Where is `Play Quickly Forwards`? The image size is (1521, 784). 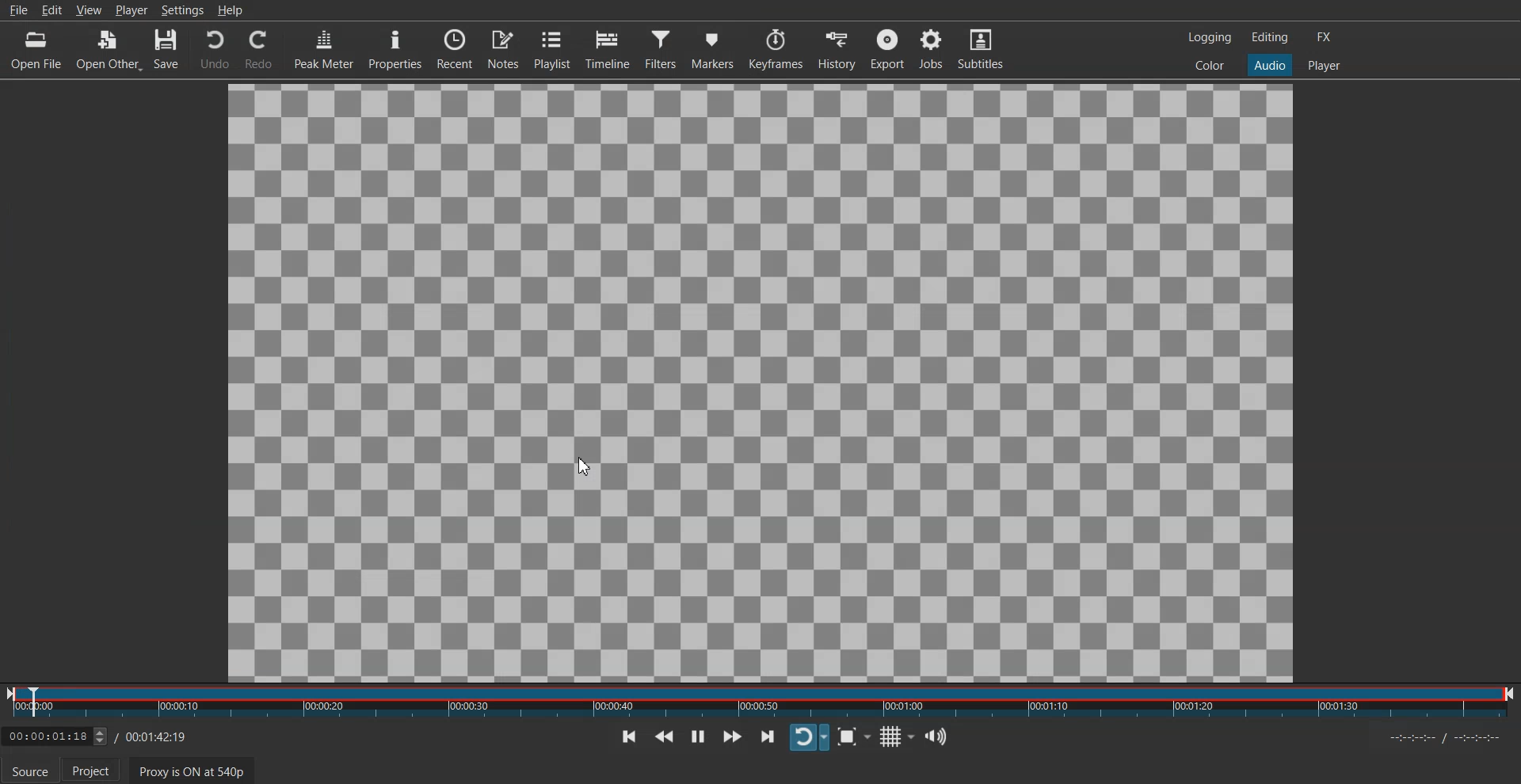 Play Quickly Forwards is located at coordinates (732, 736).